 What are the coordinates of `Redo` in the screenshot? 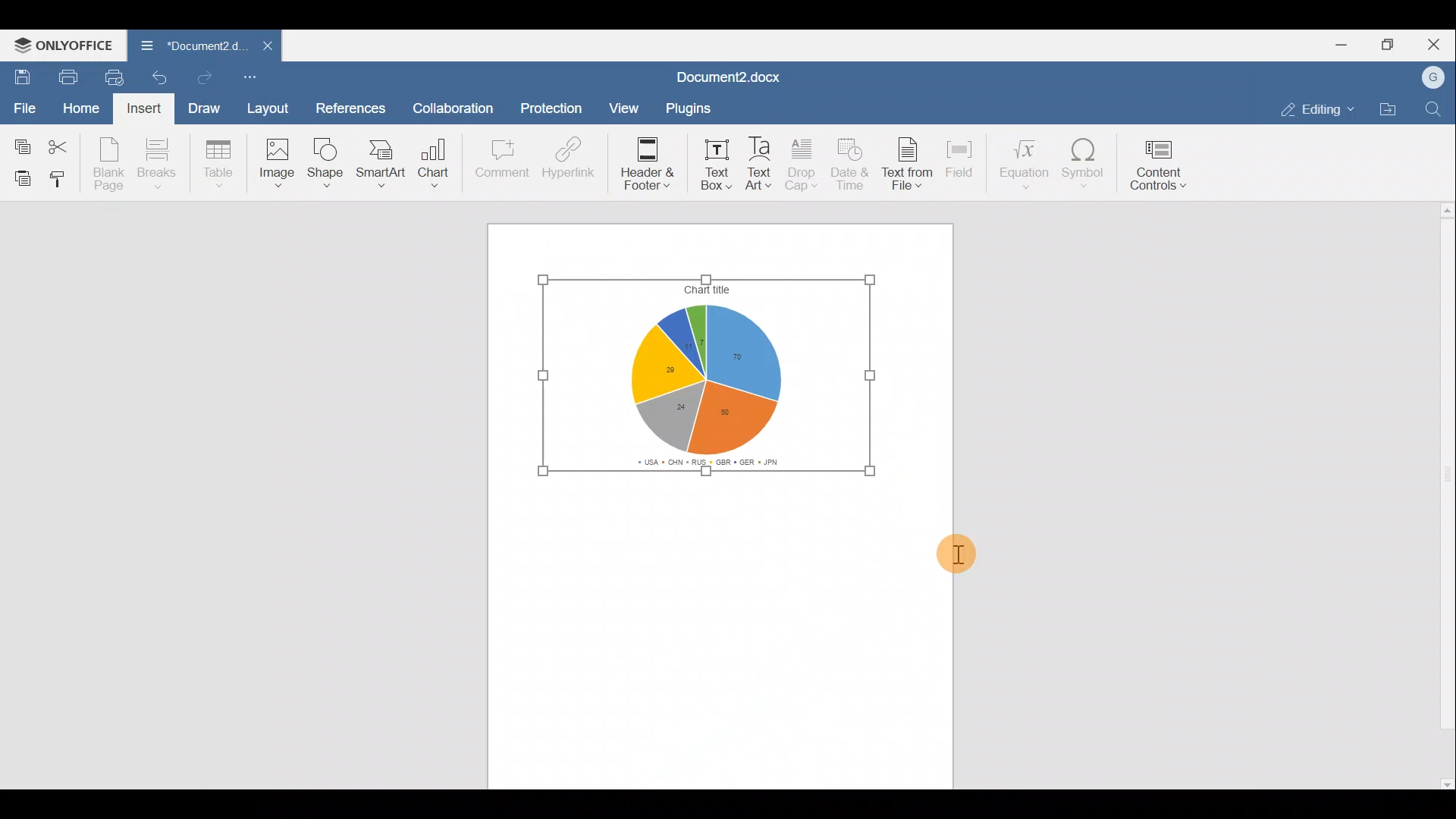 It's located at (210, 79).